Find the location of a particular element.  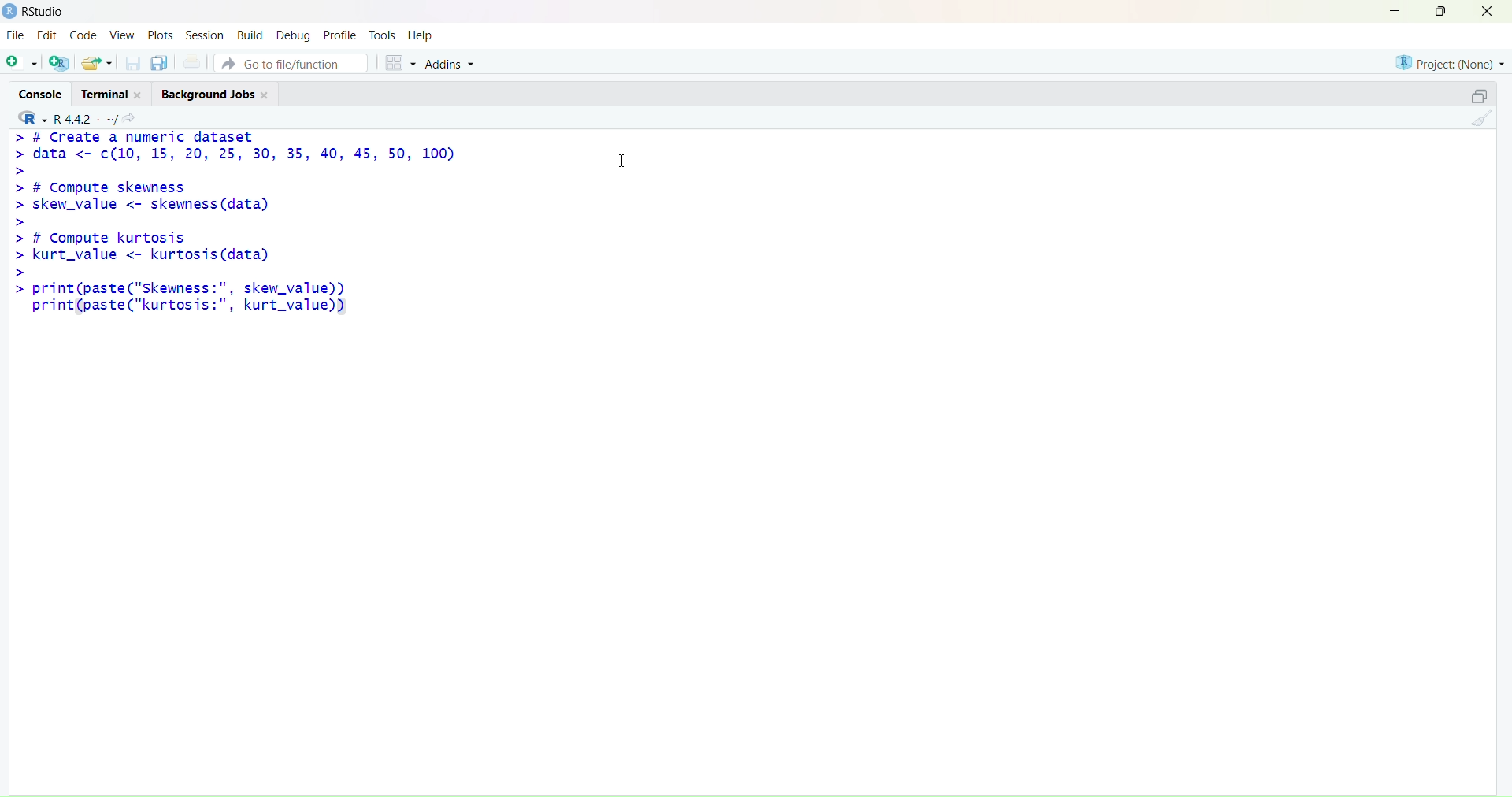

Close is located at coordinates (1492, 16).